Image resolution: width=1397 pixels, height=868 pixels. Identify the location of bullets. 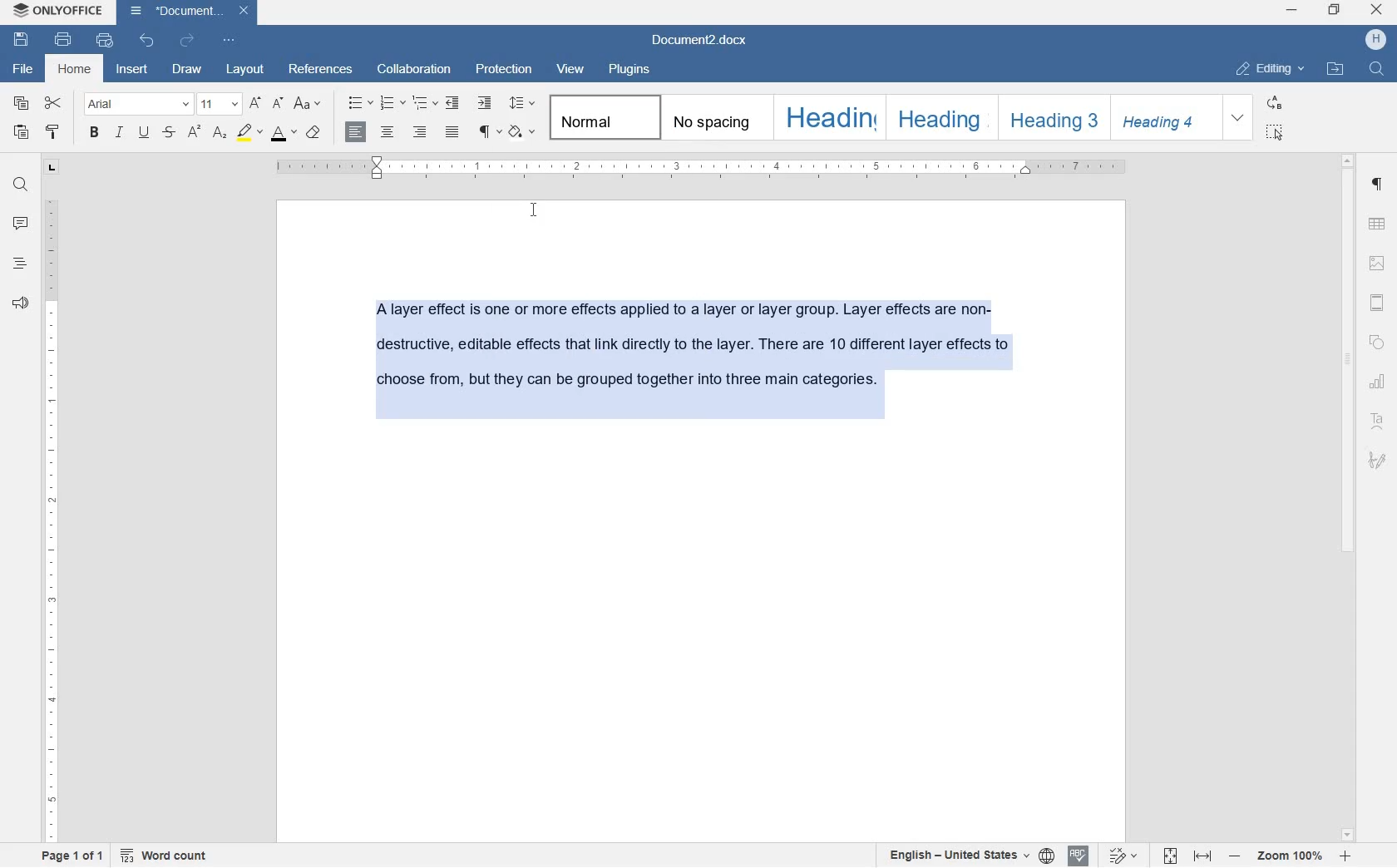
(359, 103).